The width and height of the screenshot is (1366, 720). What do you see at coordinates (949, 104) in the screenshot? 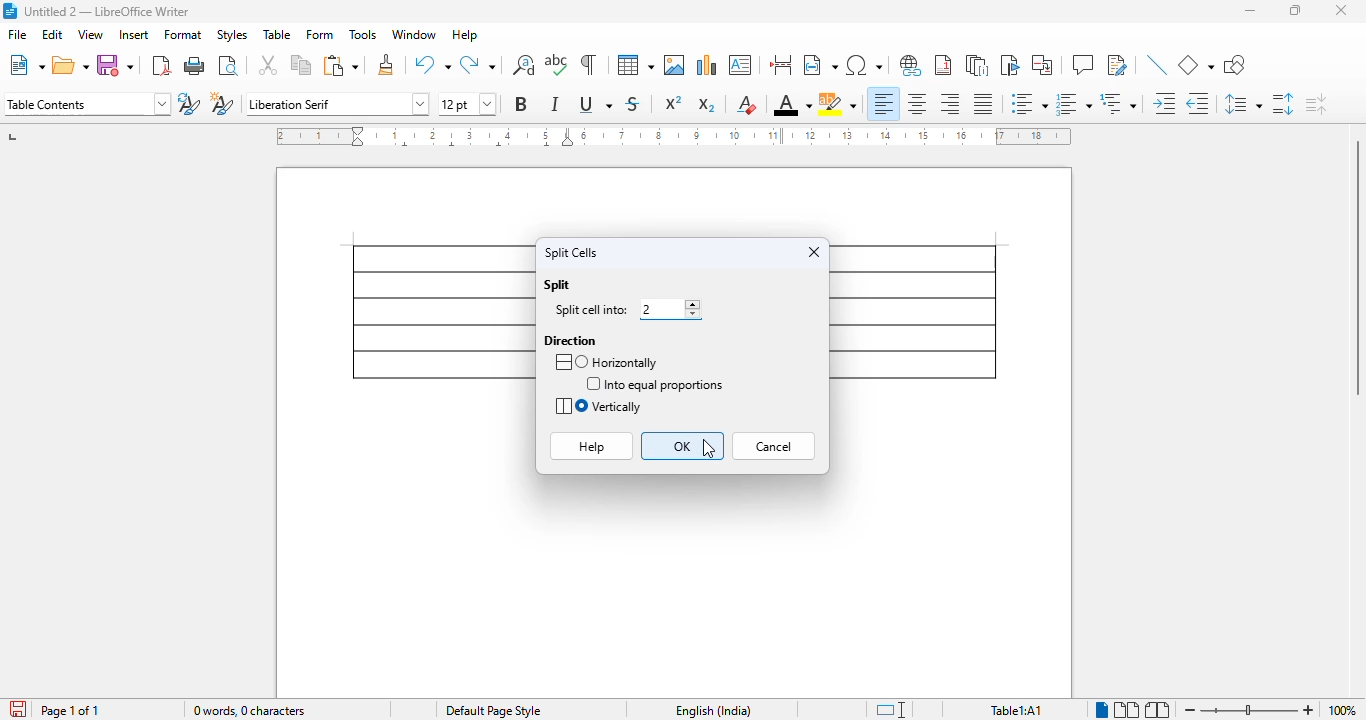
I see `align right` at bounding box center [949, 104].